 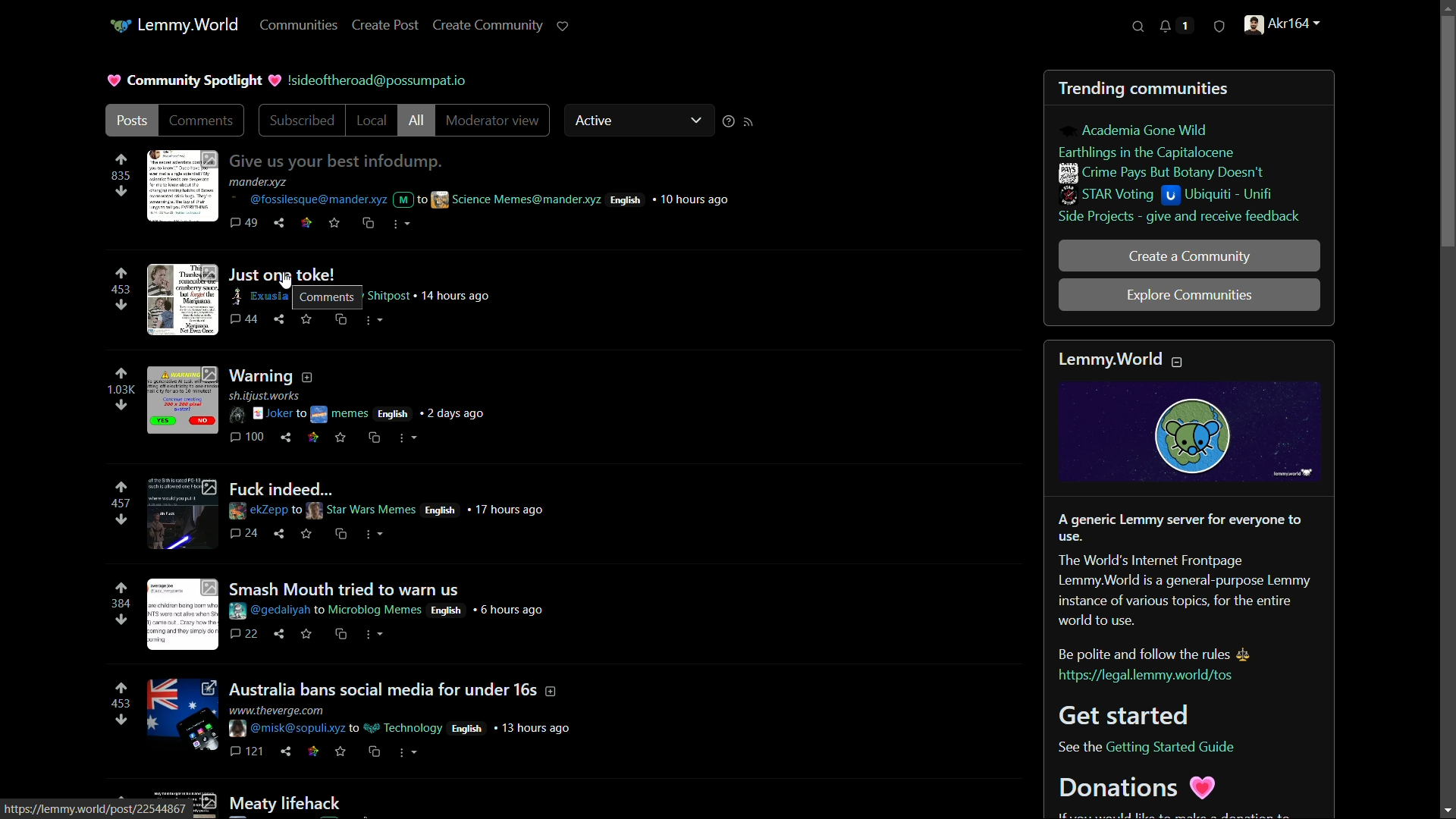 I want to click on thumbnail, so click(x=184, y=513).